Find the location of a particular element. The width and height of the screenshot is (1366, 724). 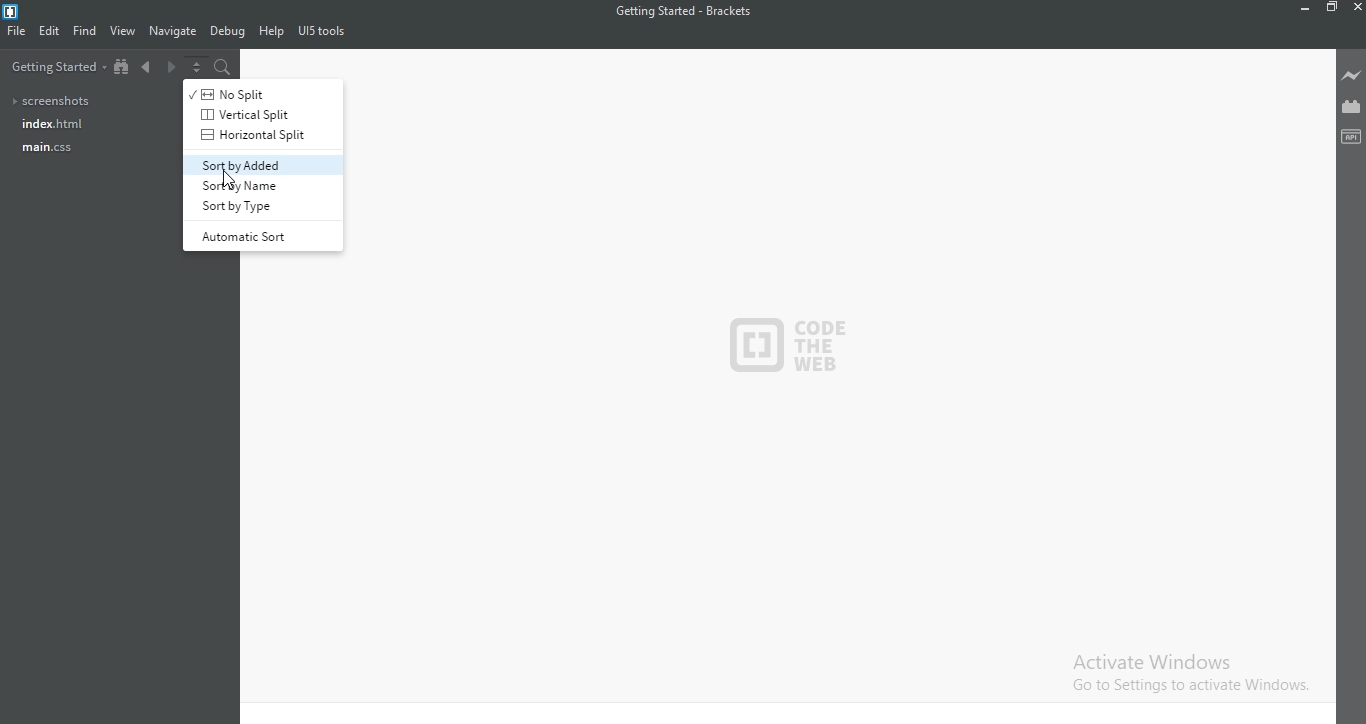

Find in files is located at coordinates (223, 68).